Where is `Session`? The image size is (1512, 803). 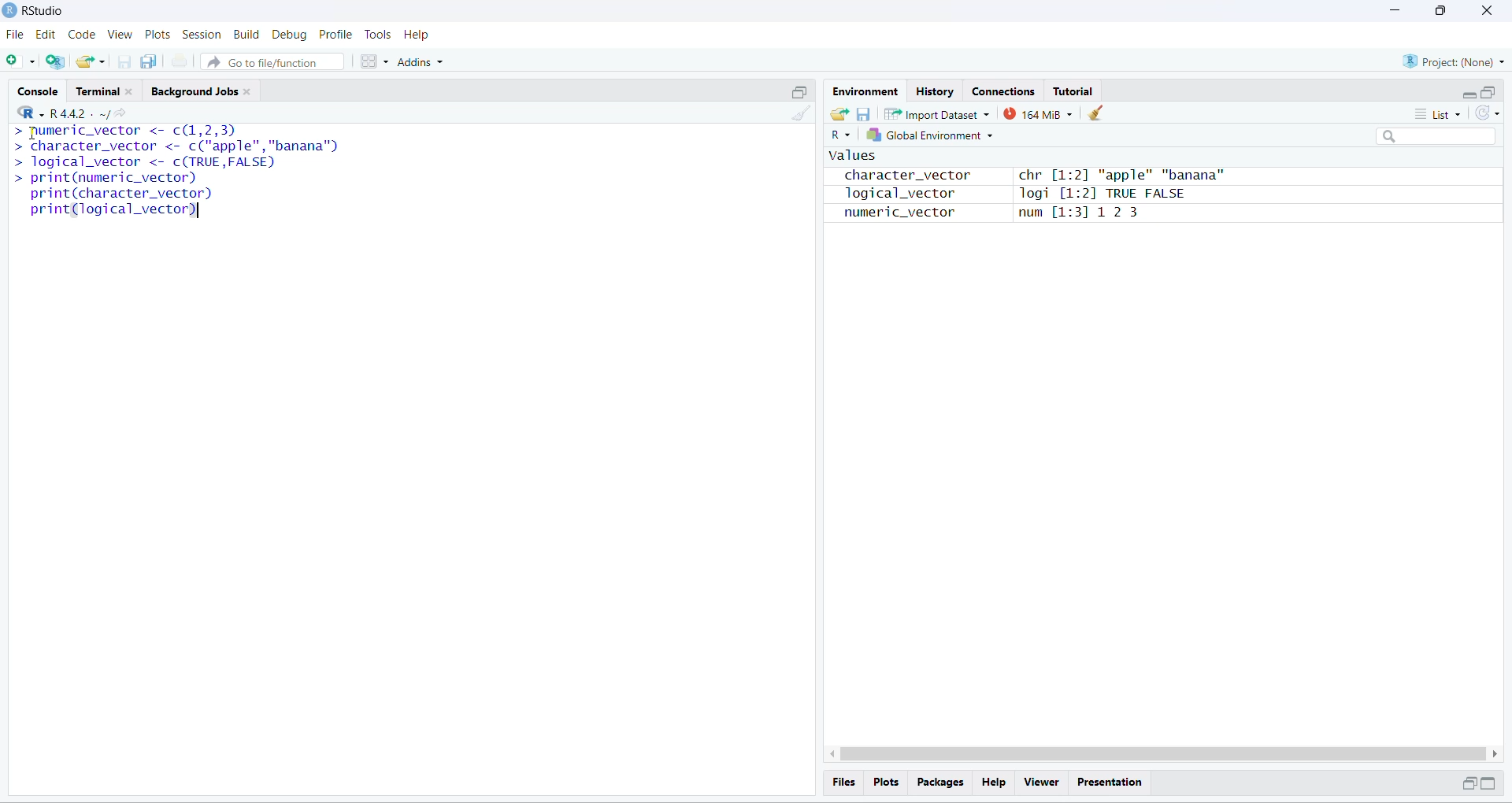 Session is located at coordinates (202, 35).